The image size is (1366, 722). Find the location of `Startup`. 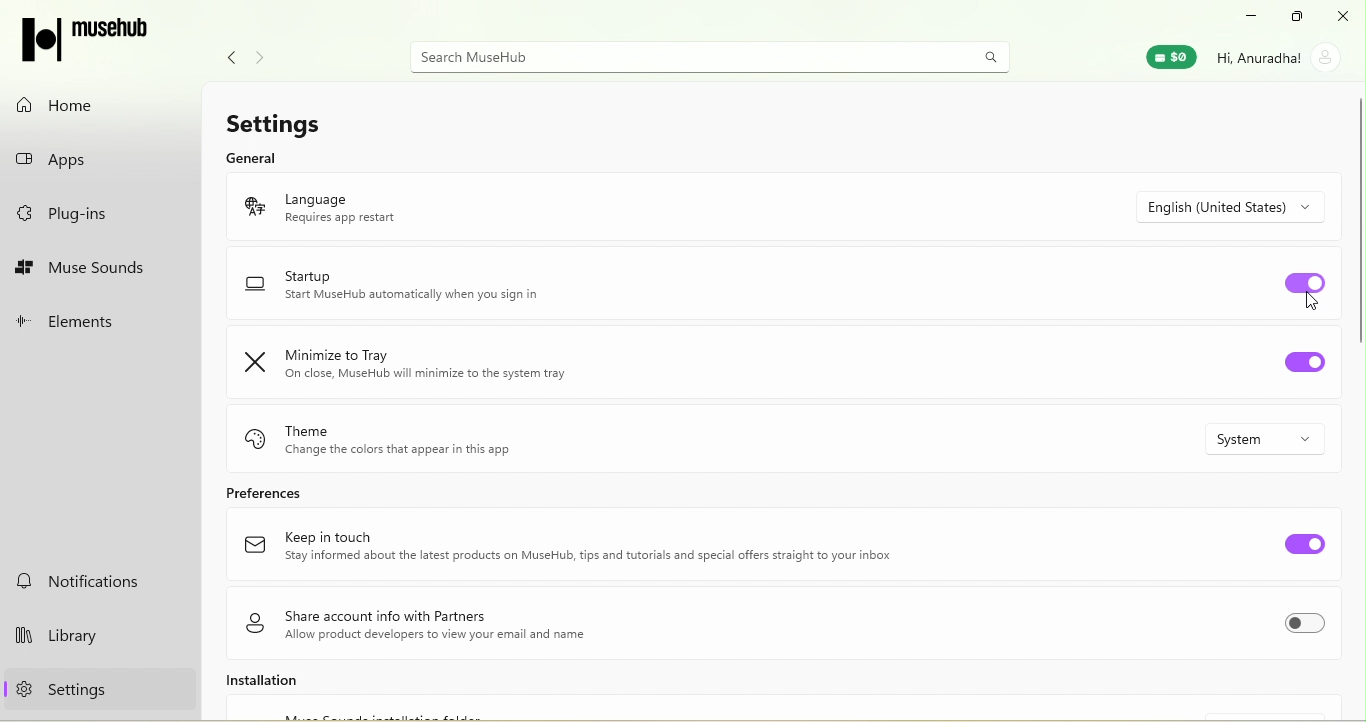

Startup is located at coordinates (407, 289).